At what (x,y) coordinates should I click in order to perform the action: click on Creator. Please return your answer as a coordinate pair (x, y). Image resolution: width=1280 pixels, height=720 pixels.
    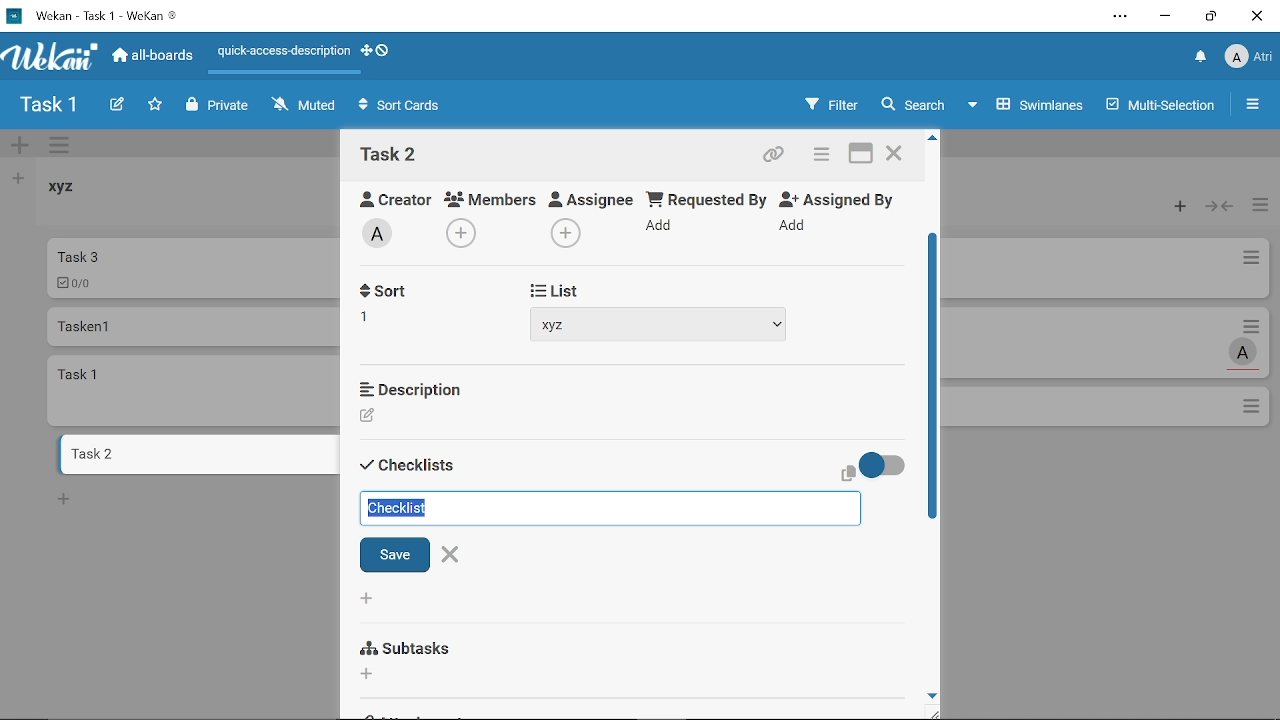
    Looking at the image, I should click on (368, 416).